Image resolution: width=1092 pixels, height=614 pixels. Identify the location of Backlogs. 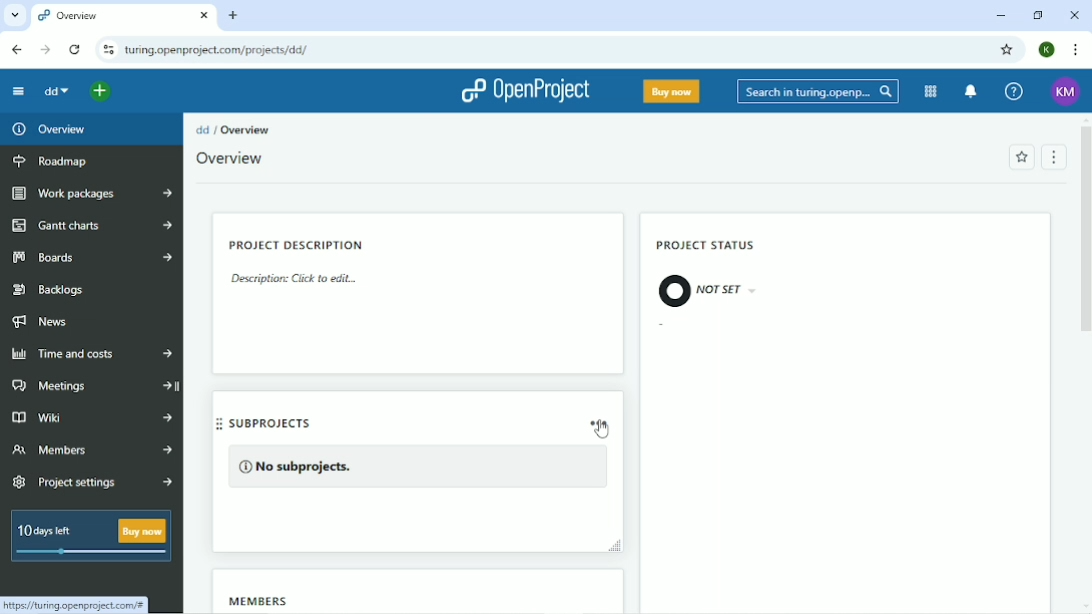
(51, 290).